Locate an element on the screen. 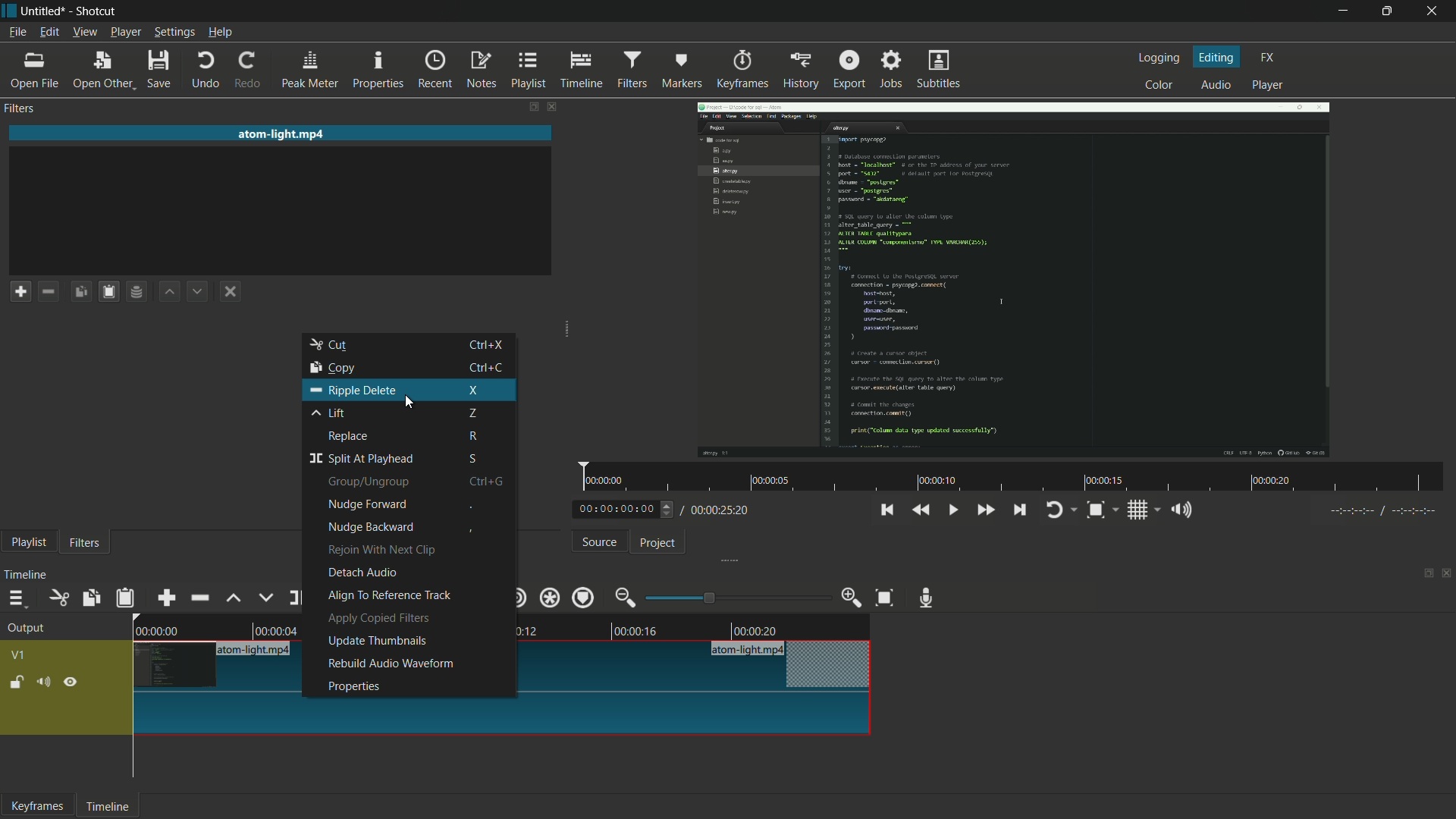 The width and height of the screenshot is (1456, 819). jobs is located at coordinates (891, 68).